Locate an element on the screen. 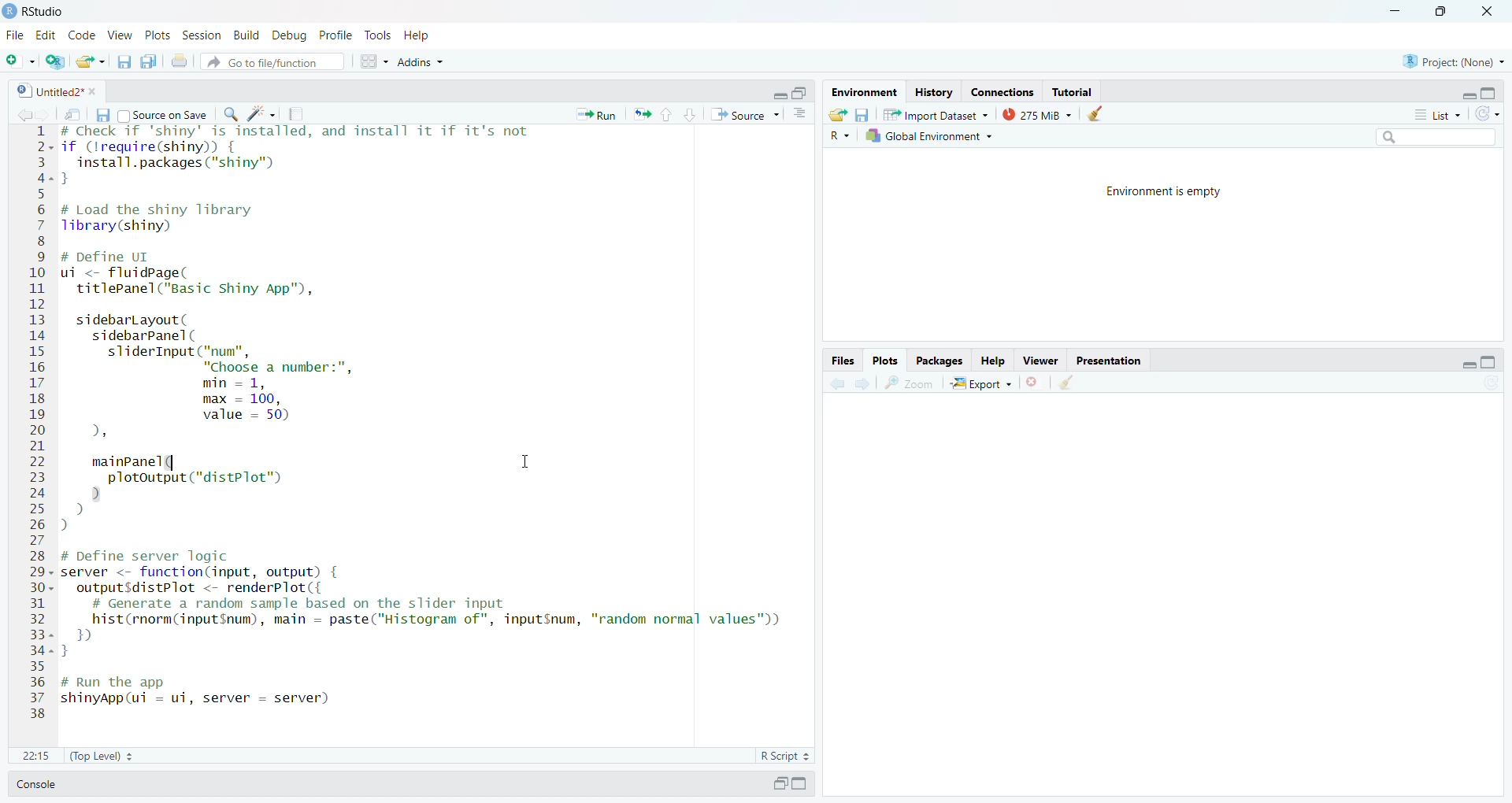  History is located at coordinates (934, 94).